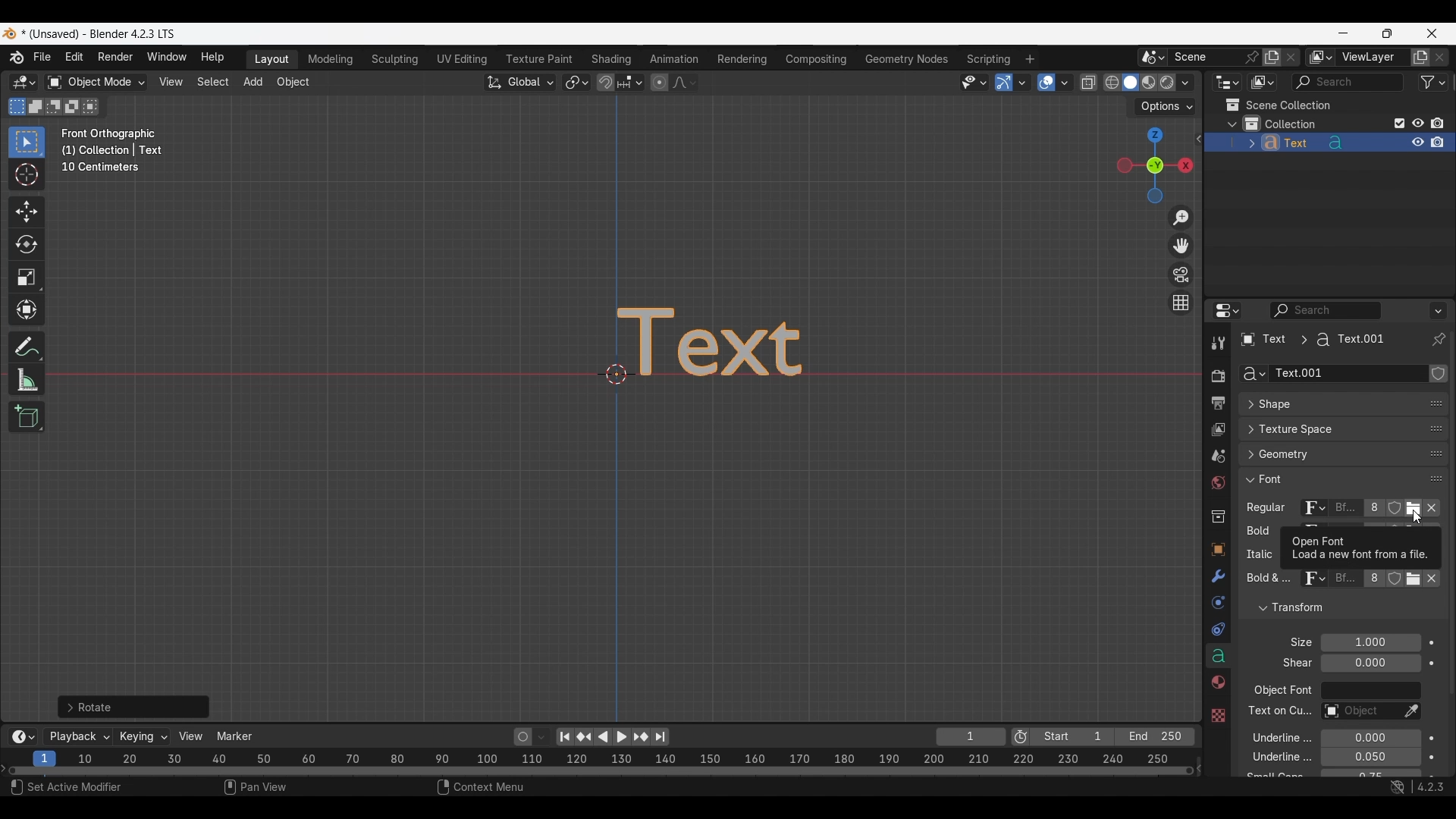 The width and height of the screenshot is (1456, 819). Describe the element at coordinates (1185, 83) in the screenshot. I see `Shading` at that location.